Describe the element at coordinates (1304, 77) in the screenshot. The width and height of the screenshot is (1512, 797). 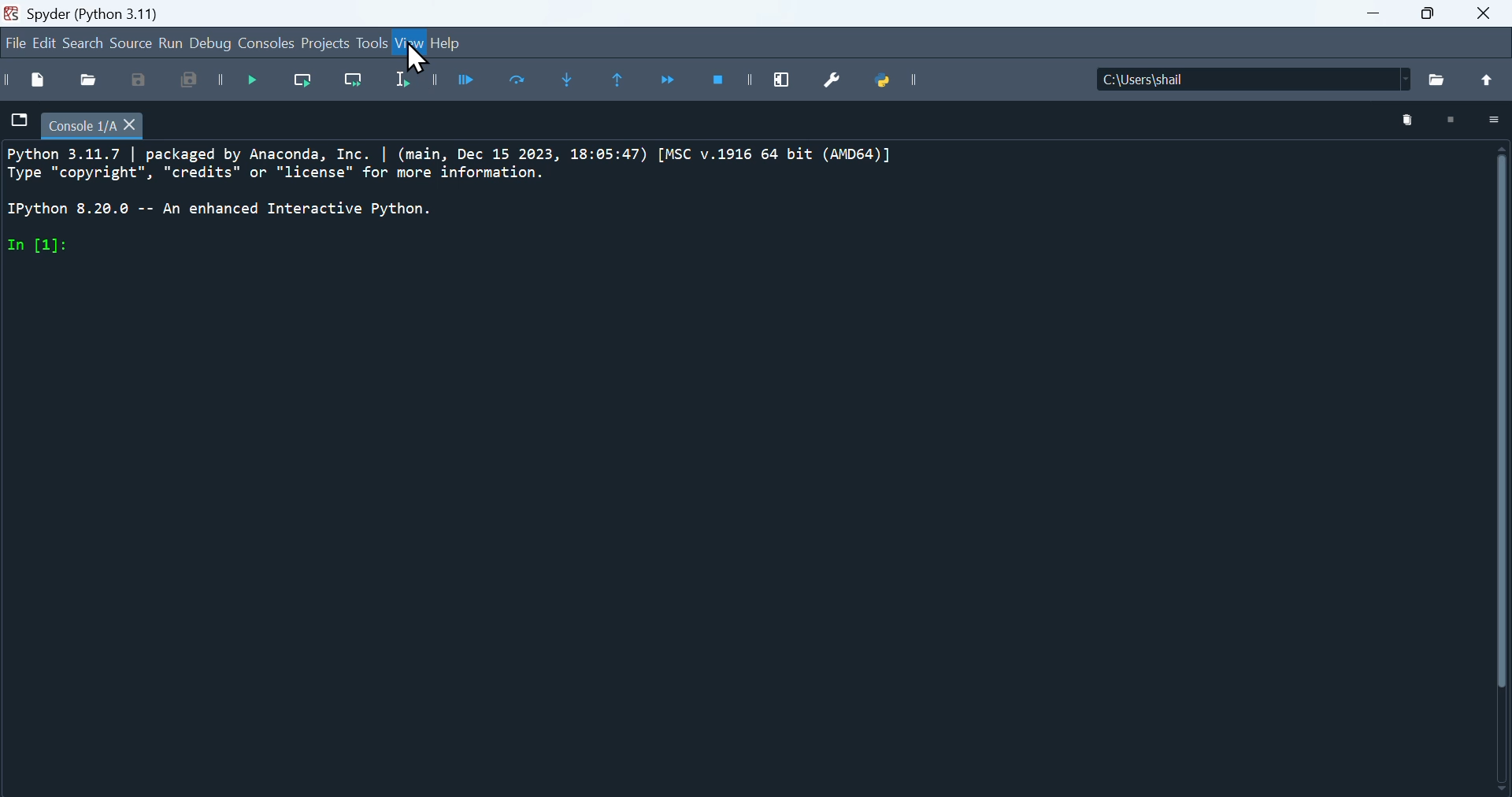
I see `Name of the file` at that location.